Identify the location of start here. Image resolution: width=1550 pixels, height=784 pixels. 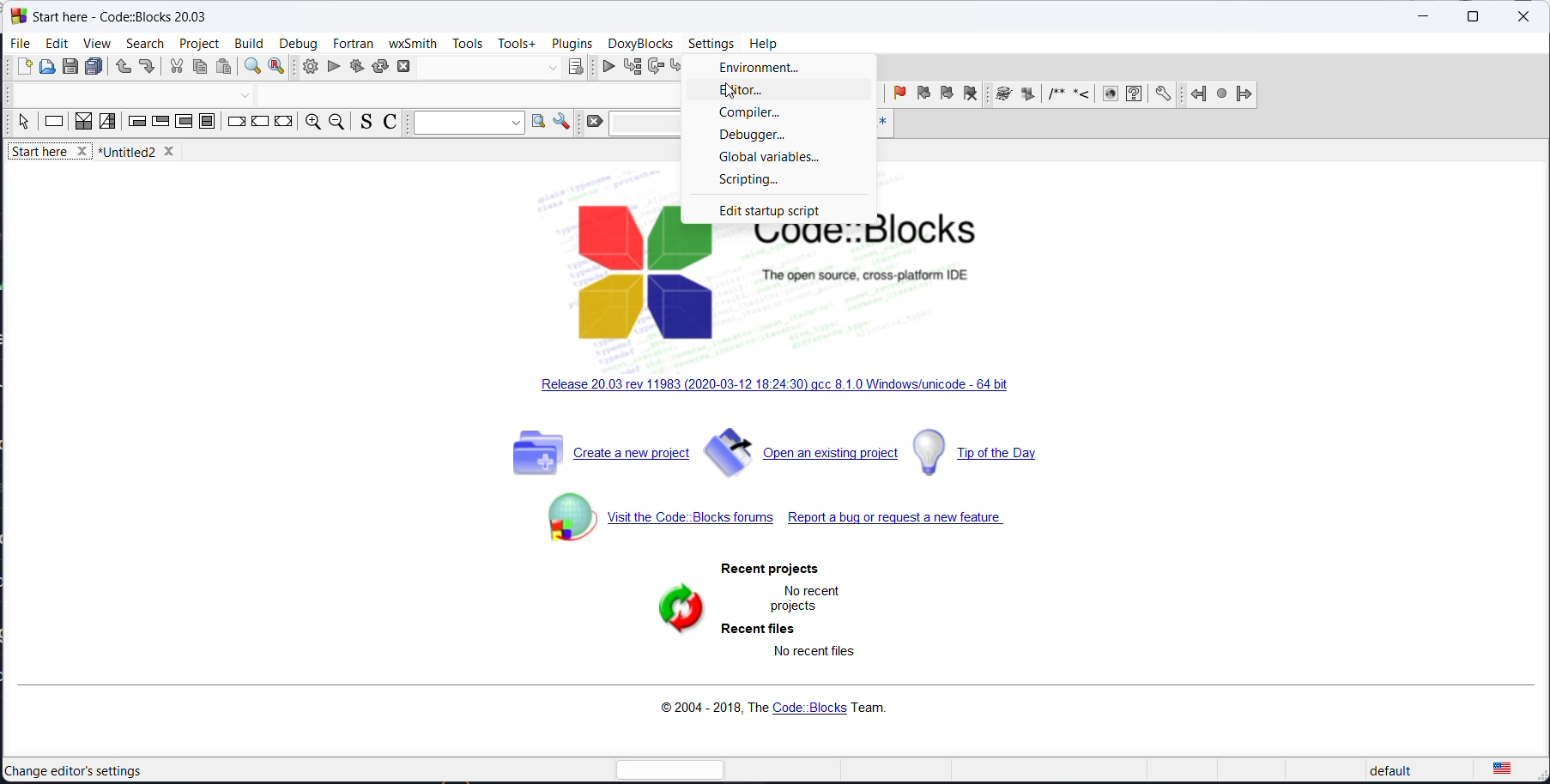
(51, 154).